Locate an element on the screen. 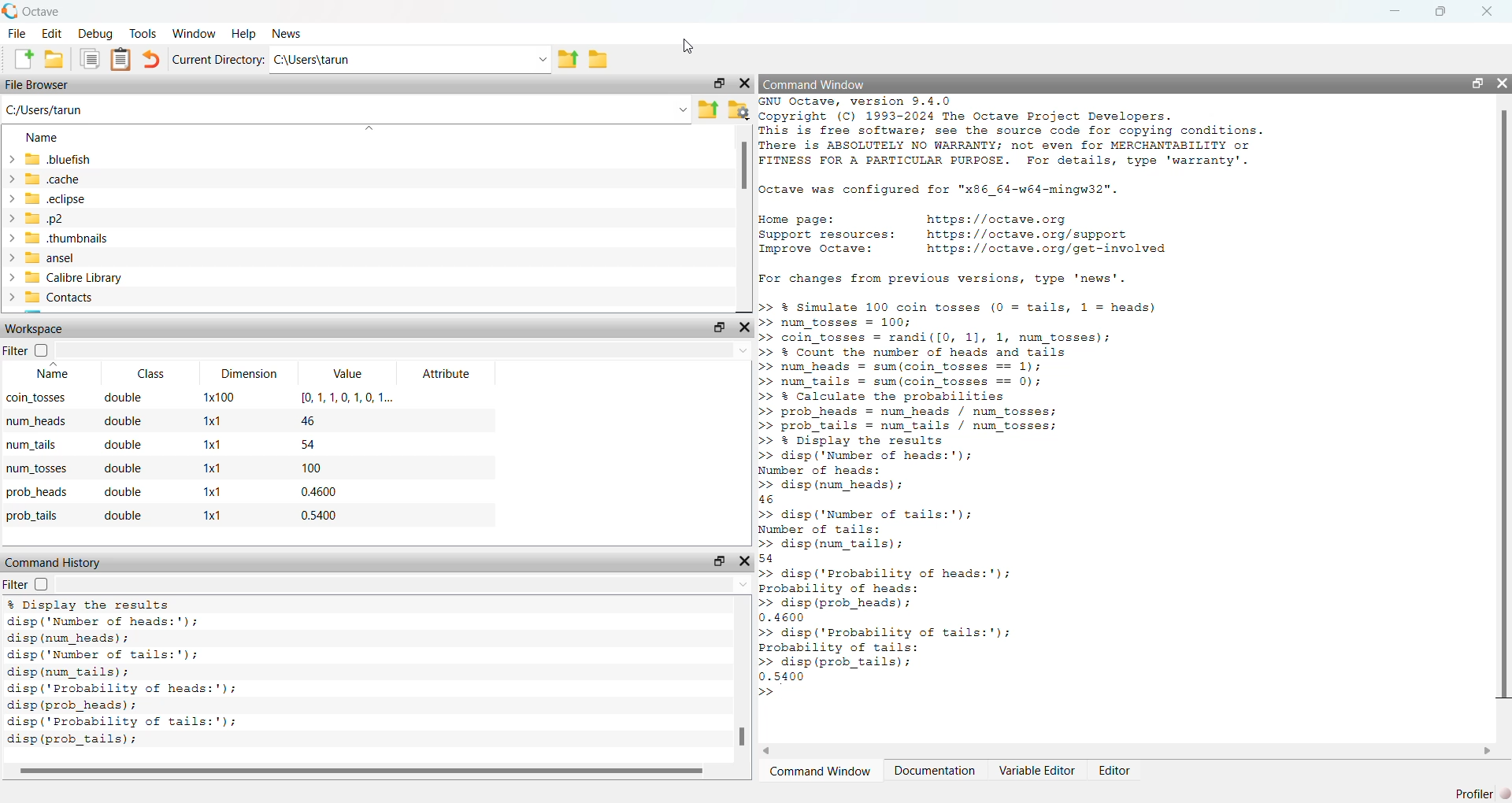 Image resolution: width=1512 pixels, height=803 pixels. num_tosses is located at coordinates (37, 468).